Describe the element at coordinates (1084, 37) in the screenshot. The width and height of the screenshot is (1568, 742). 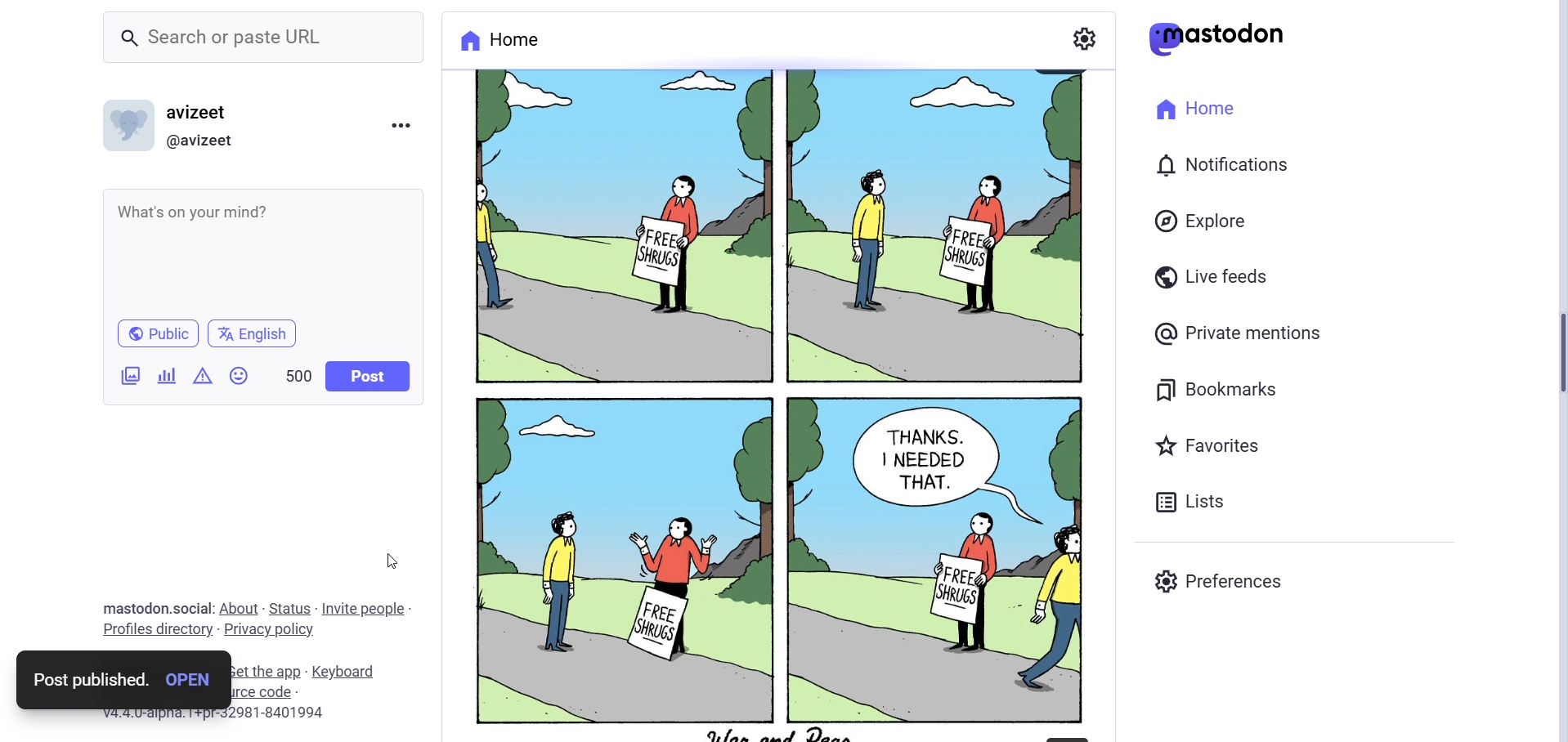
I see `Setting` at that location.